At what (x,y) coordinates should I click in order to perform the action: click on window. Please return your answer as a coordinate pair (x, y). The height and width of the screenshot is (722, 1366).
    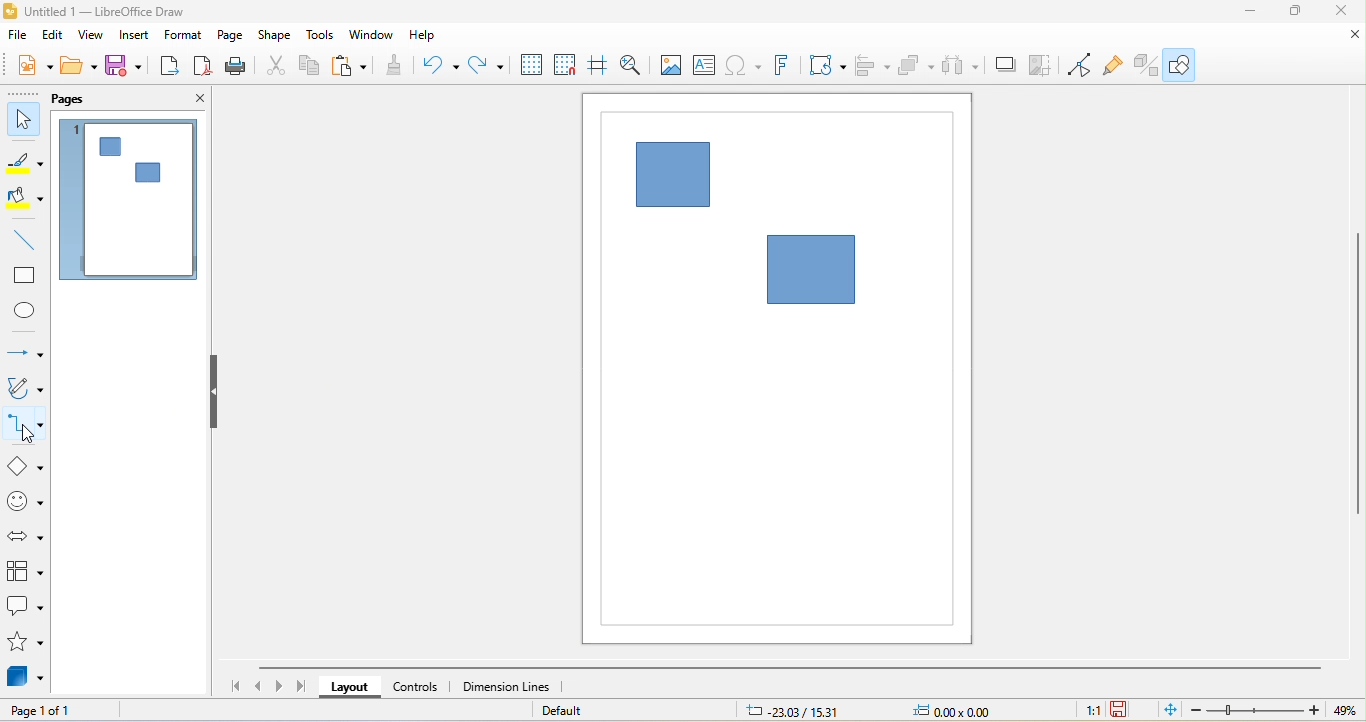
    Looking at the image, I should click on (373, 36).